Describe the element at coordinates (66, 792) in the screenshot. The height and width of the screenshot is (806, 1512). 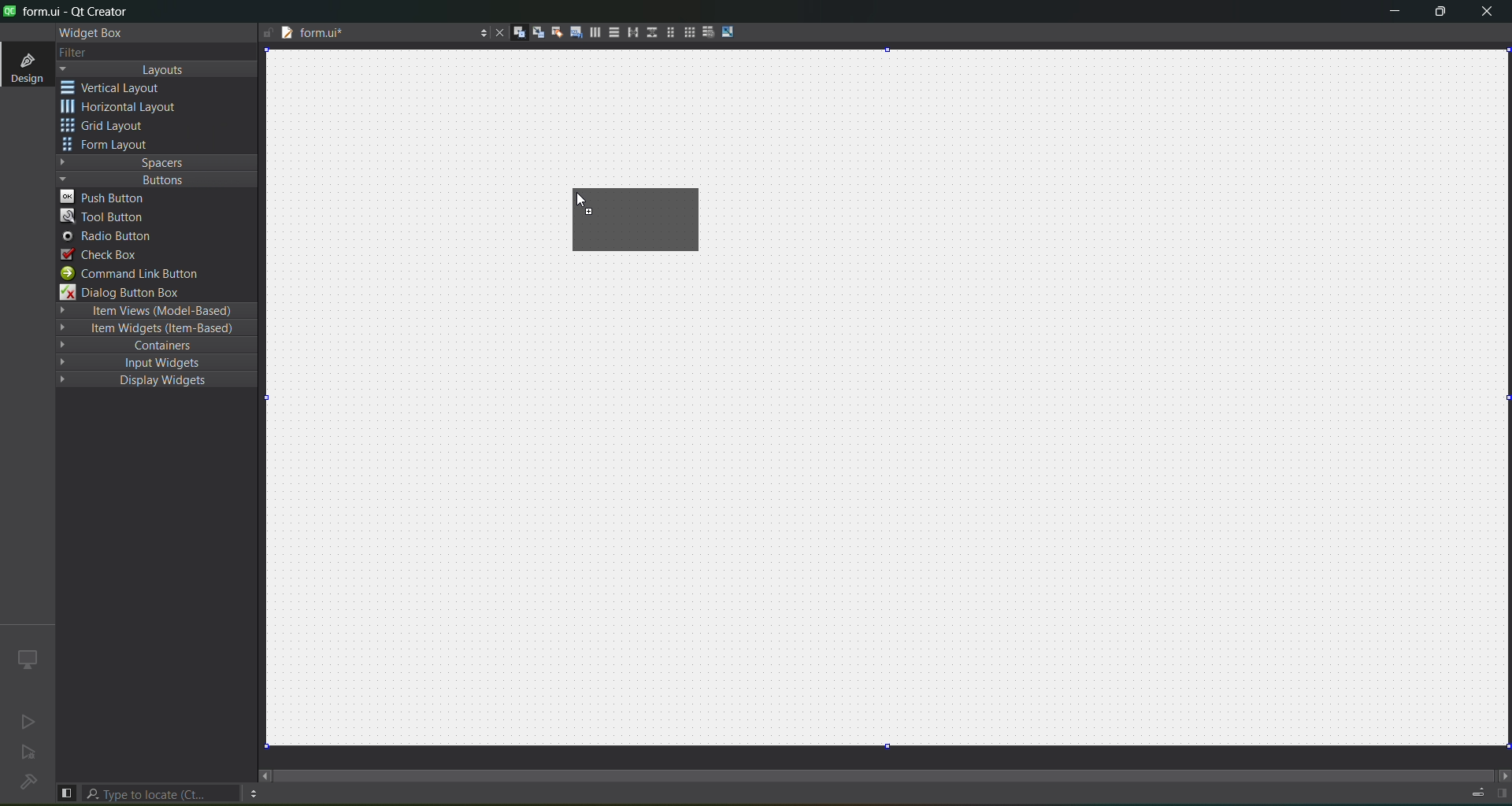
I see `show/hide left pane` at that location.